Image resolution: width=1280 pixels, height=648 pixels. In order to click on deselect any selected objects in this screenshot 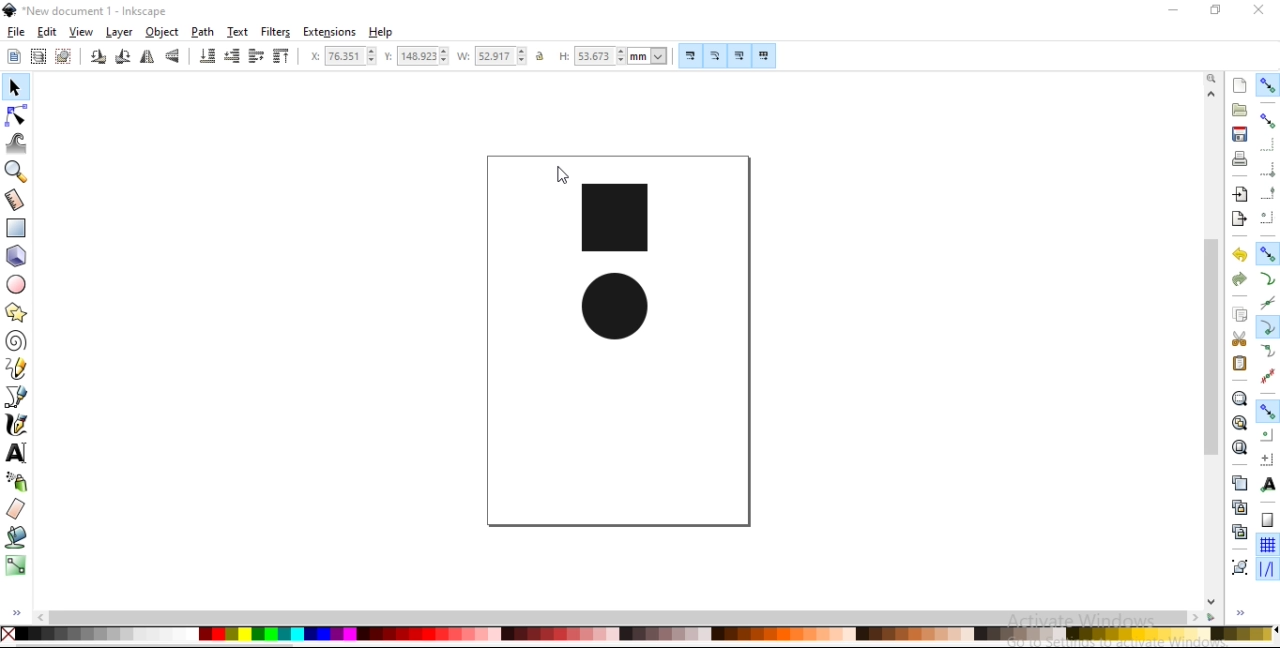, I will do `click(66, 57)`.